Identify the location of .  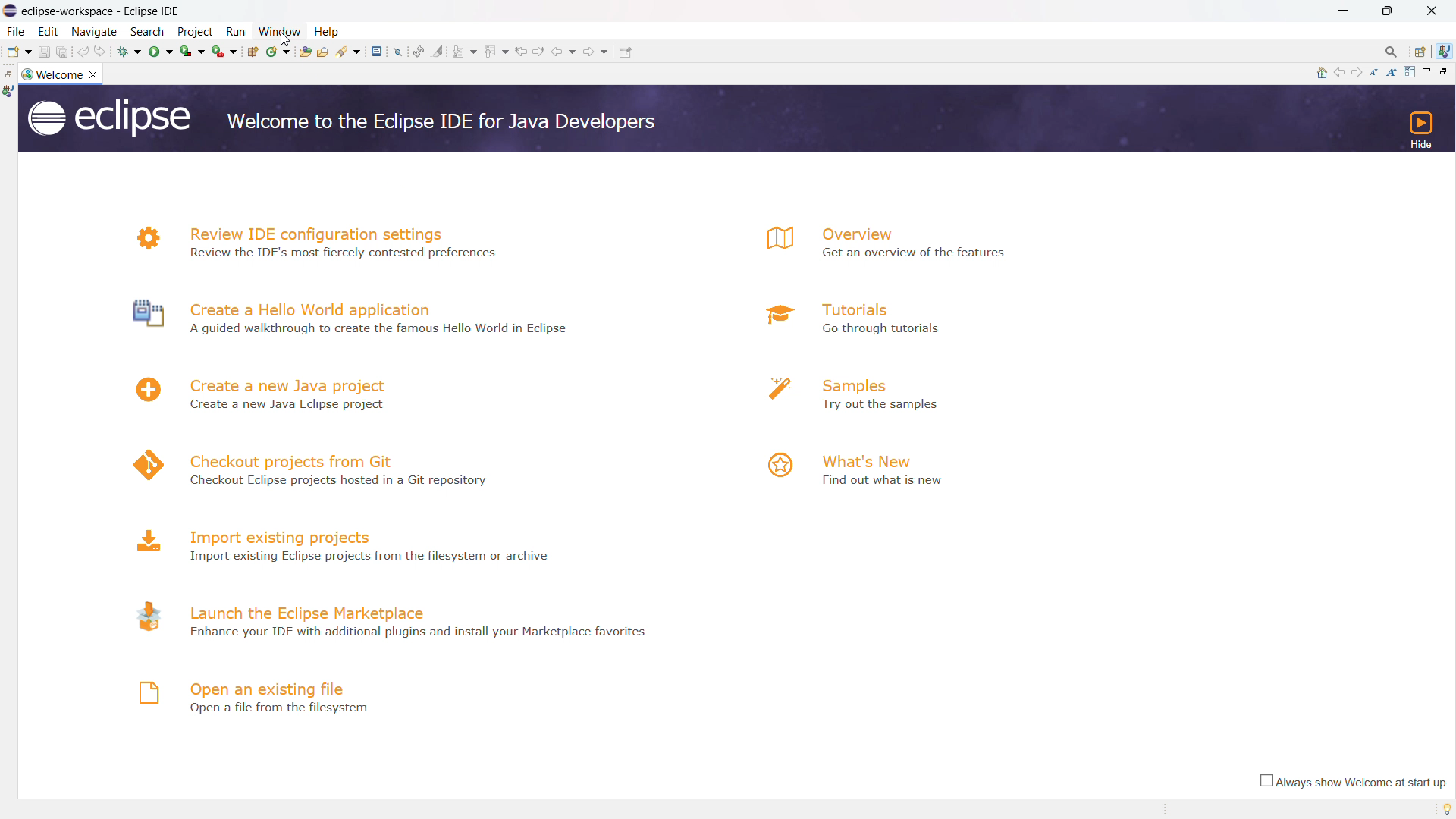
(20, 384).